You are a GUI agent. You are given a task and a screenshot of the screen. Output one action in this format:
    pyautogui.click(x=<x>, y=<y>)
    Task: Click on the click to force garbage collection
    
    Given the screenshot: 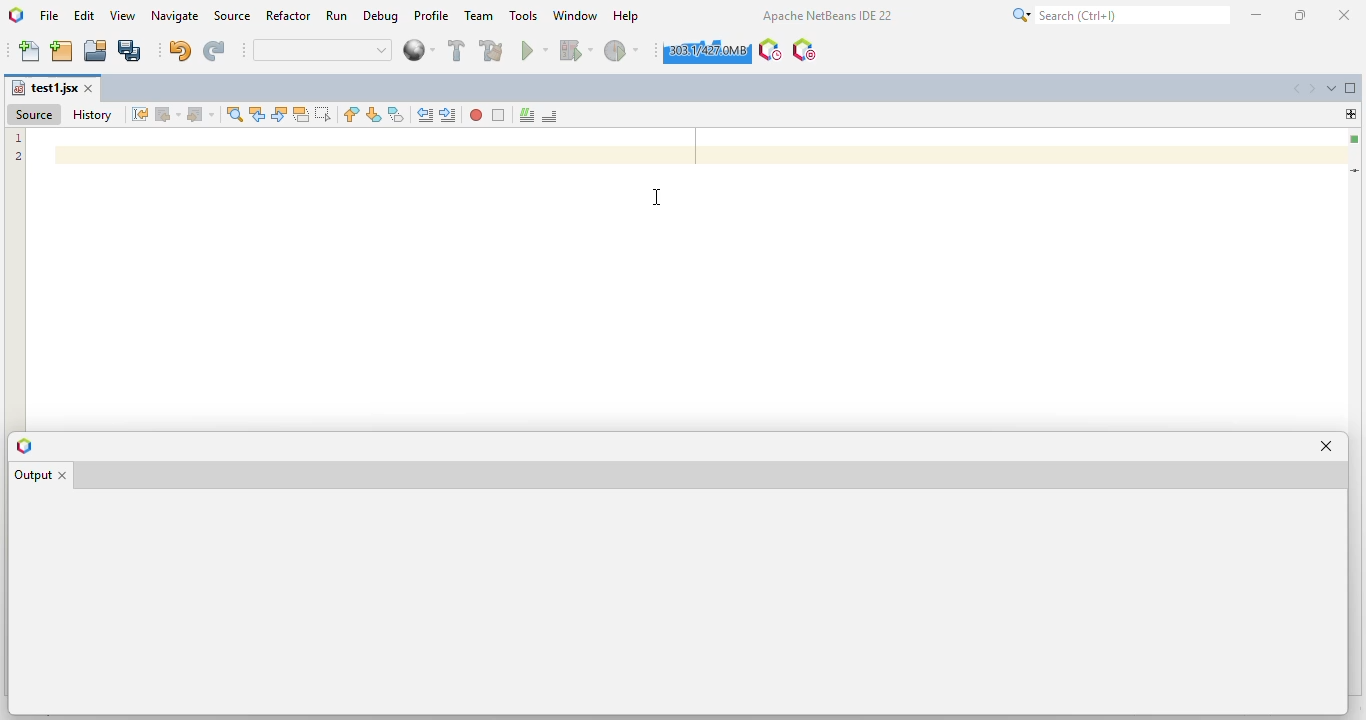 What is the action you would take?
    pyautogui.click(x=706, y=51)
    